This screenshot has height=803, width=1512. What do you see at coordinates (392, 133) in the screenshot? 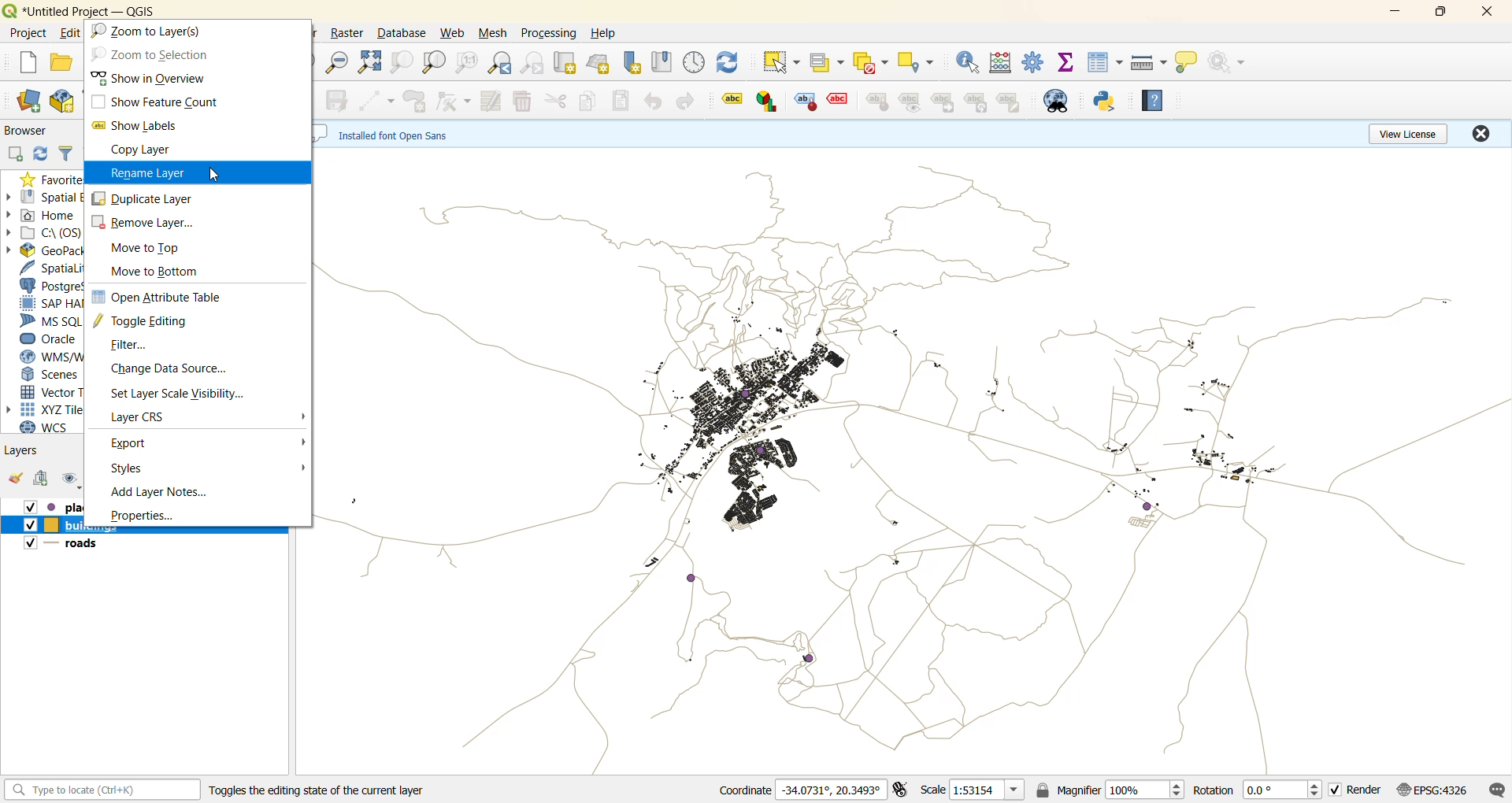
I see `metadata` at bounding box center [392, 133].